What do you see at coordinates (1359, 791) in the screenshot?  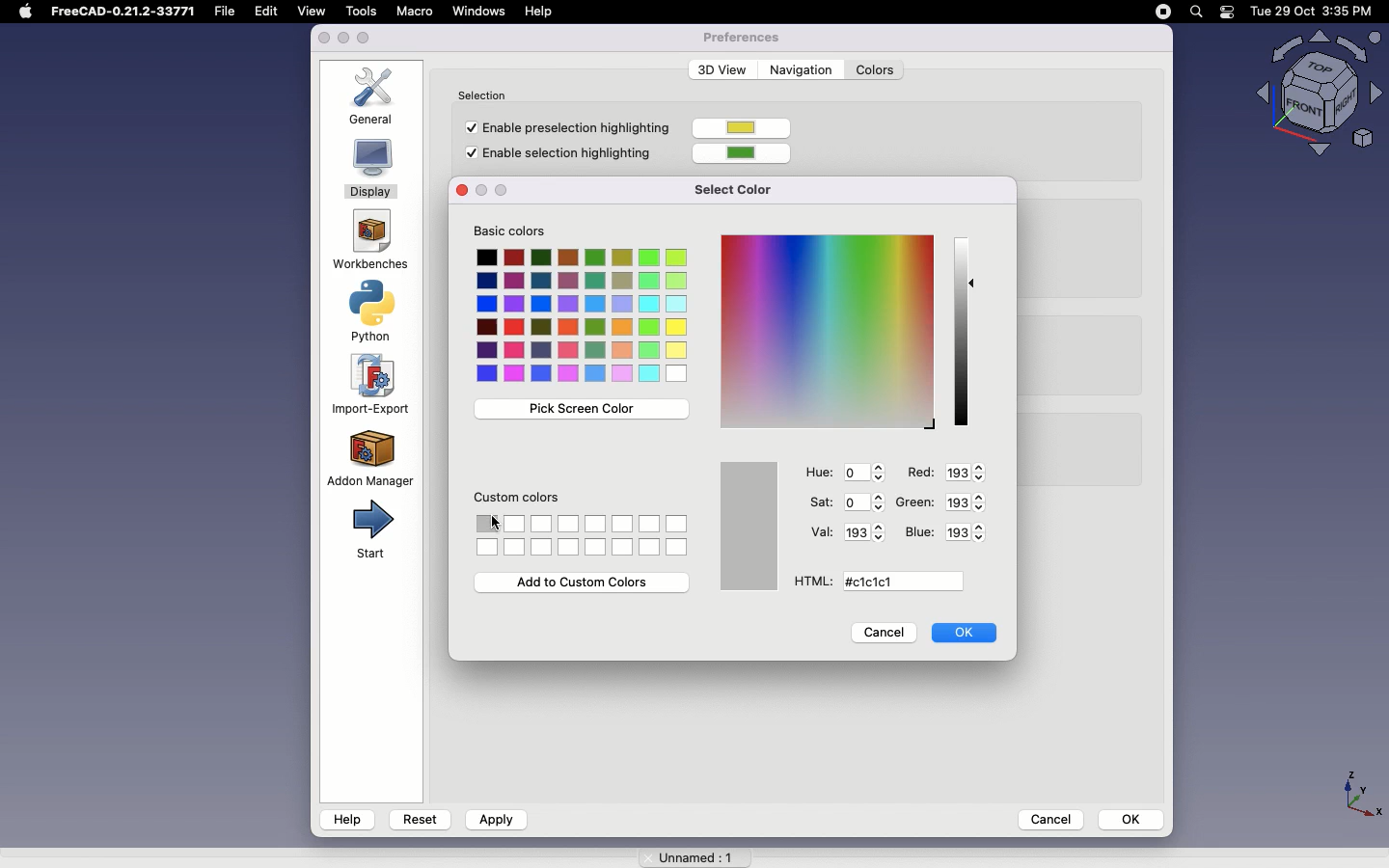 I see `axis - X,Y,Z` at bounding box center [1359, 791].